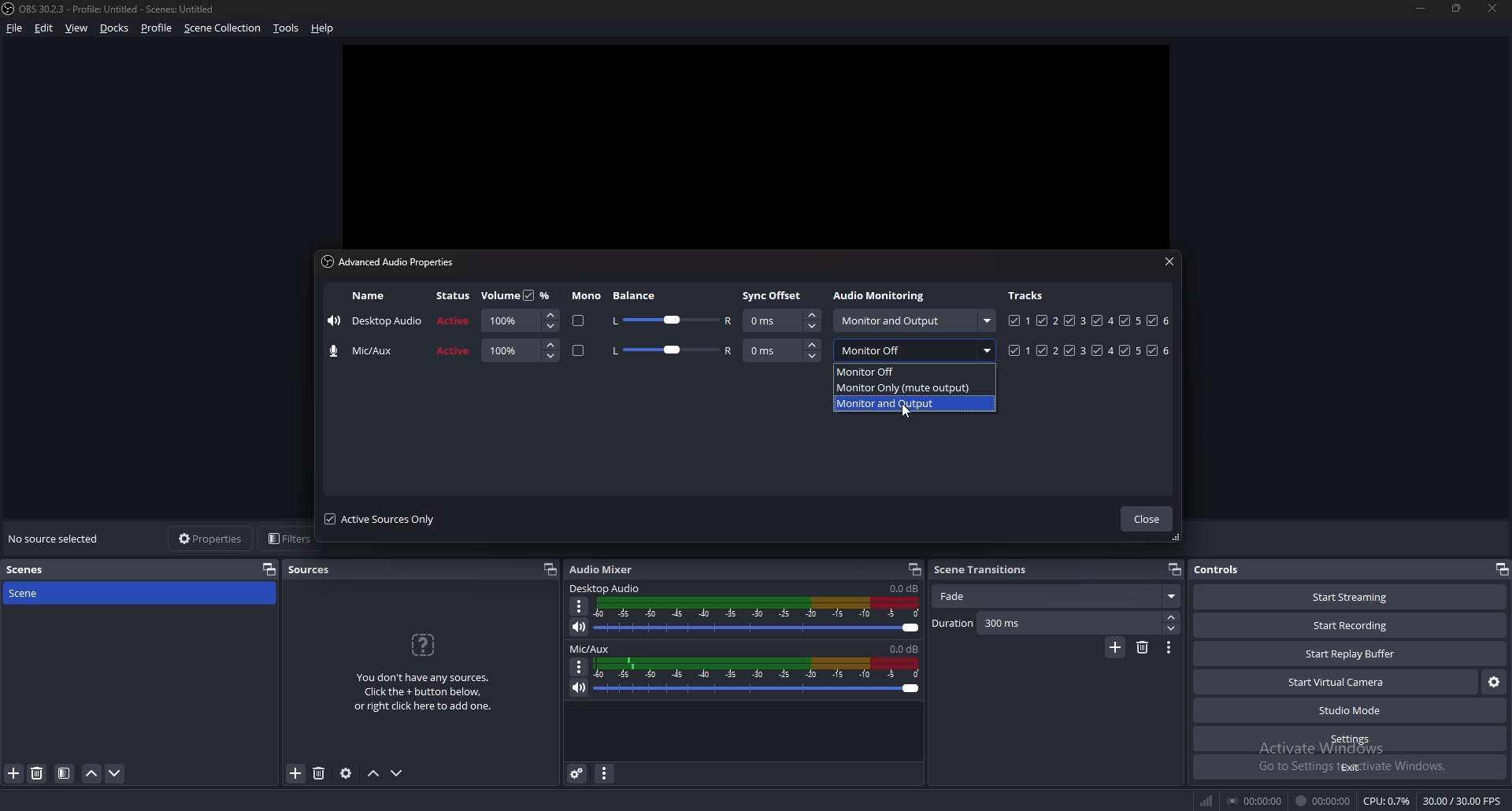  What do you see at coordinates (579, 667) in the screenshot?
I see `options` at bounding box center [579, 667].